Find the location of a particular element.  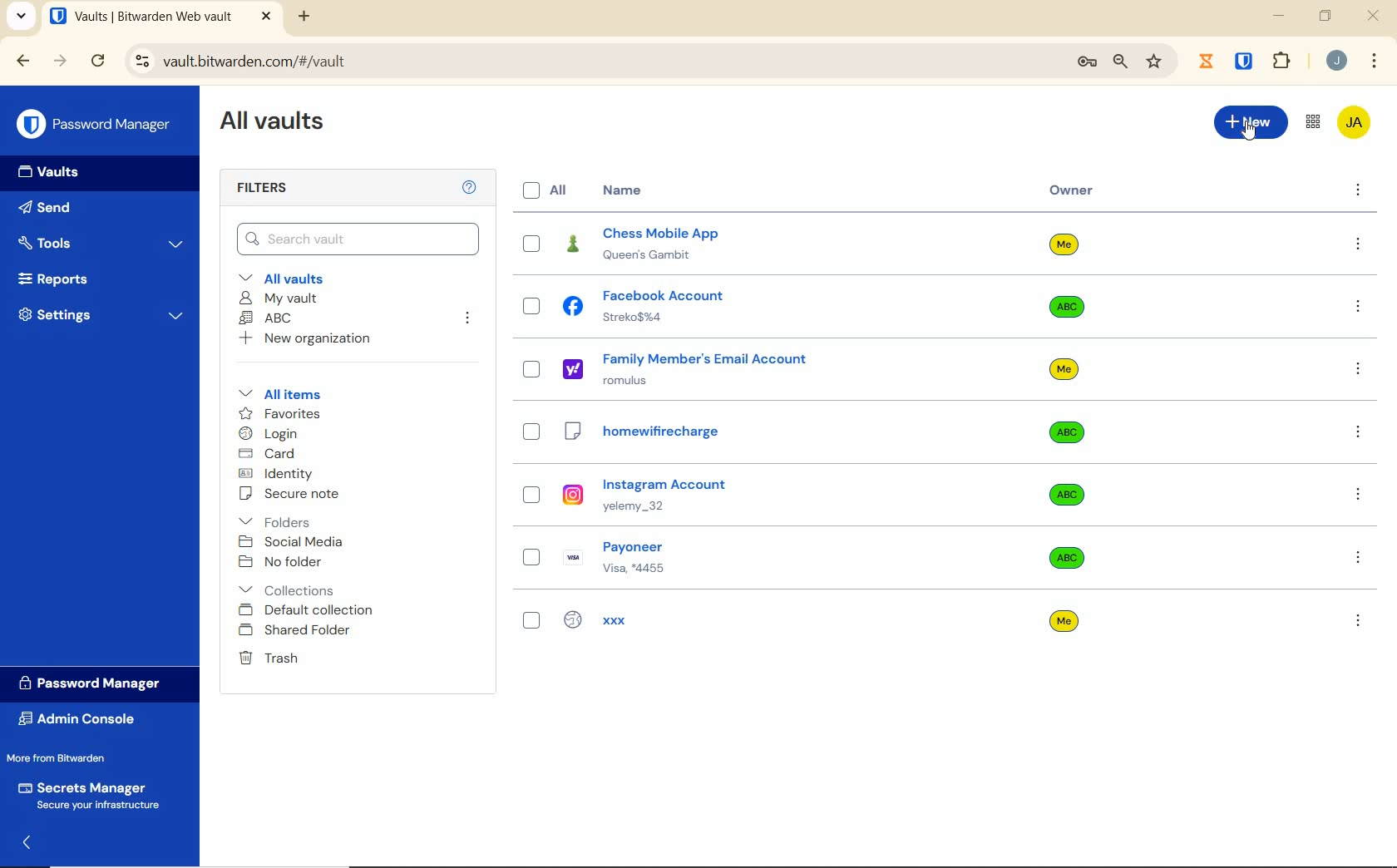

toggle between admin console and password manager is located at coordinates (1311, 122).